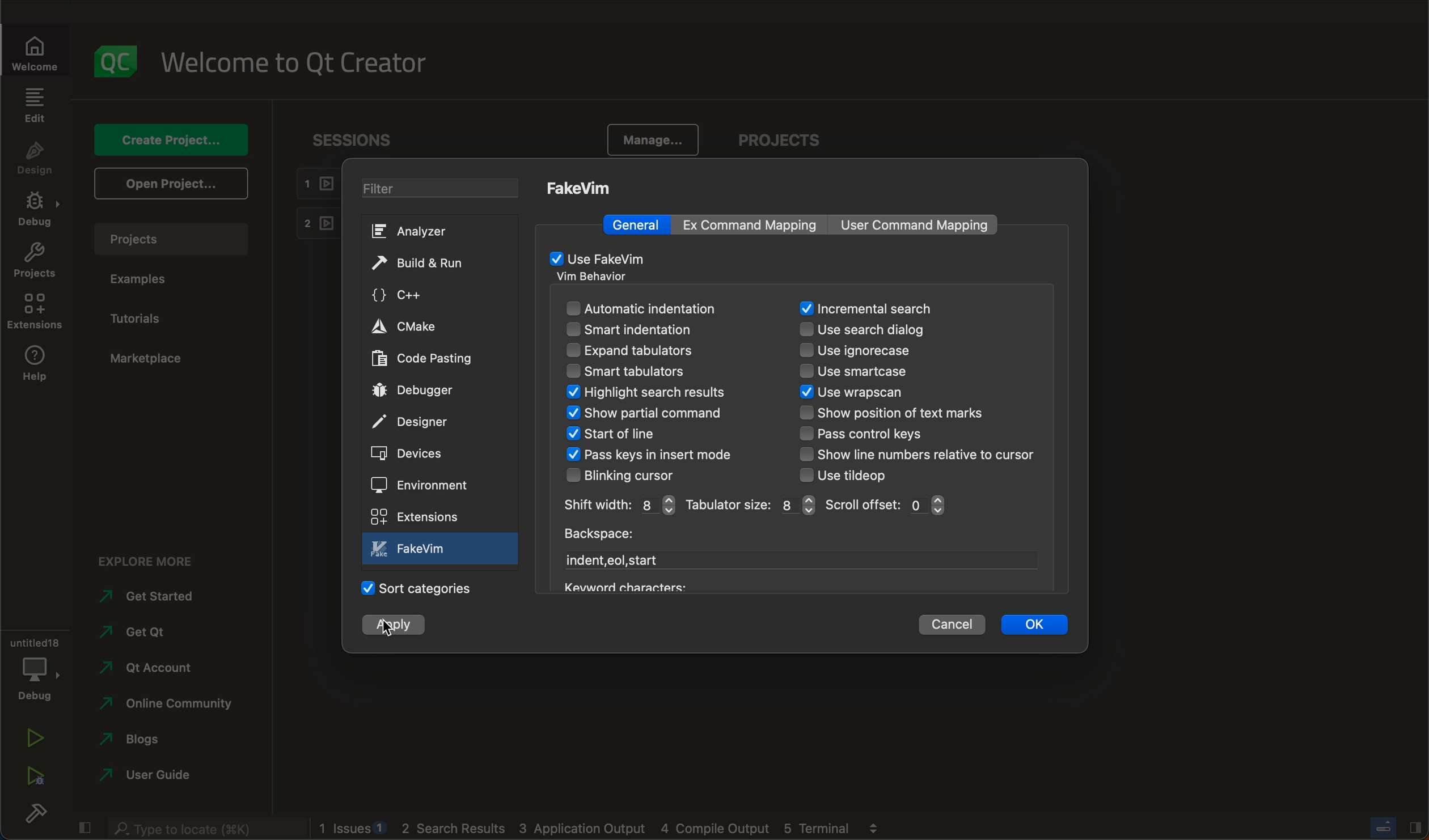  Describe the element at coordinates (36, 310) in the screenshot. I see `extensions` at that location.